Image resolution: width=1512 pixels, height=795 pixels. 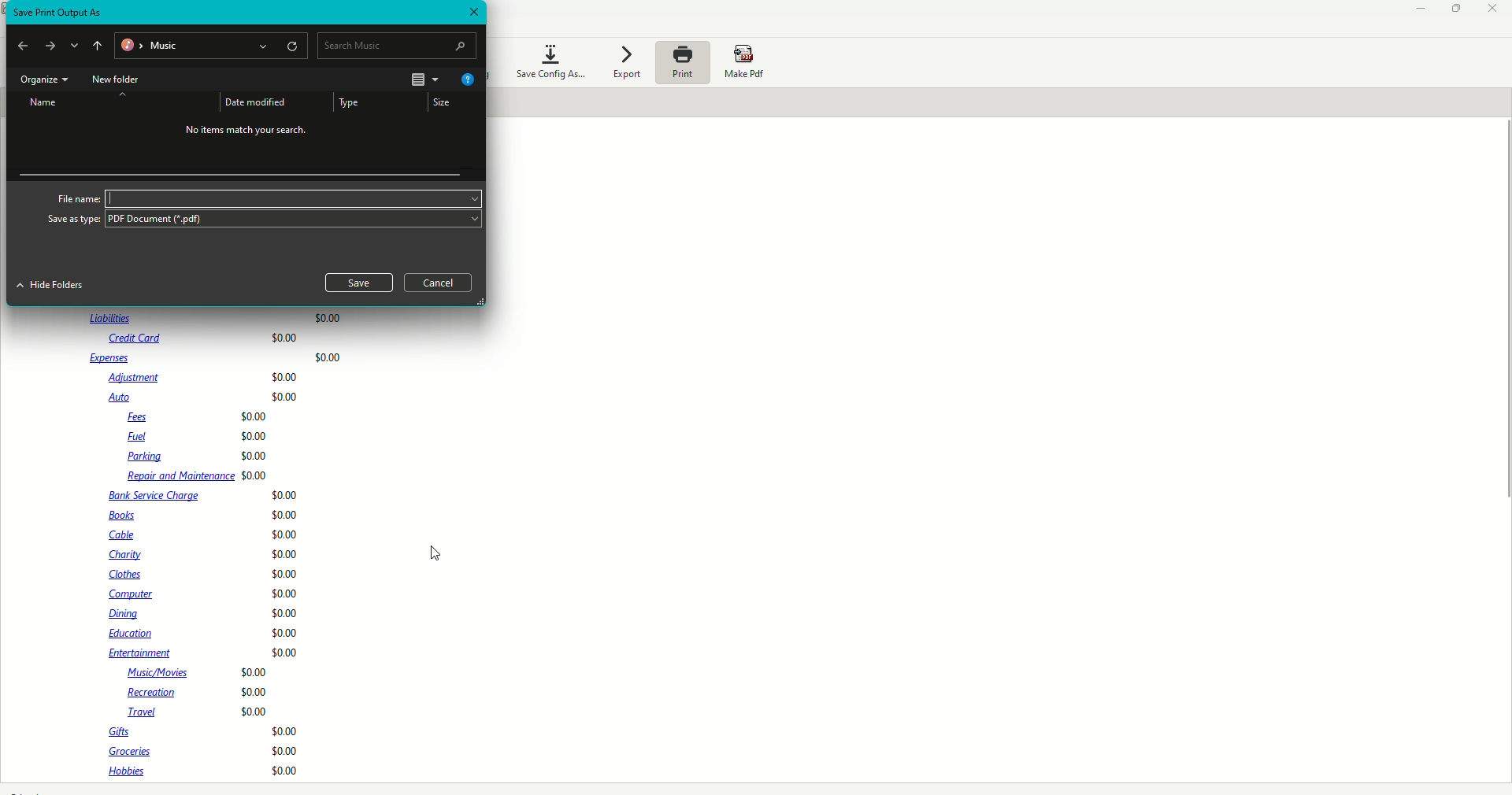 I want to click on Move up, so click(x=122, y=94).